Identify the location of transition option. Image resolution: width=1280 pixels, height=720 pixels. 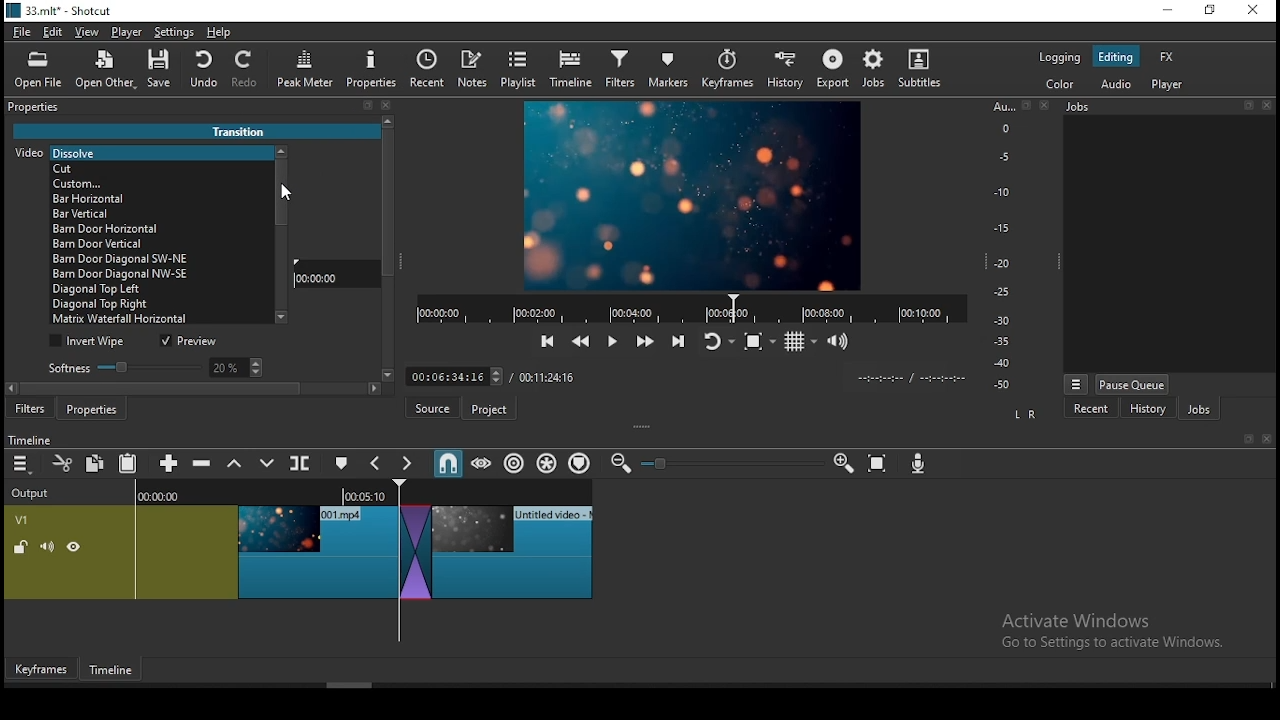
(162, 243).